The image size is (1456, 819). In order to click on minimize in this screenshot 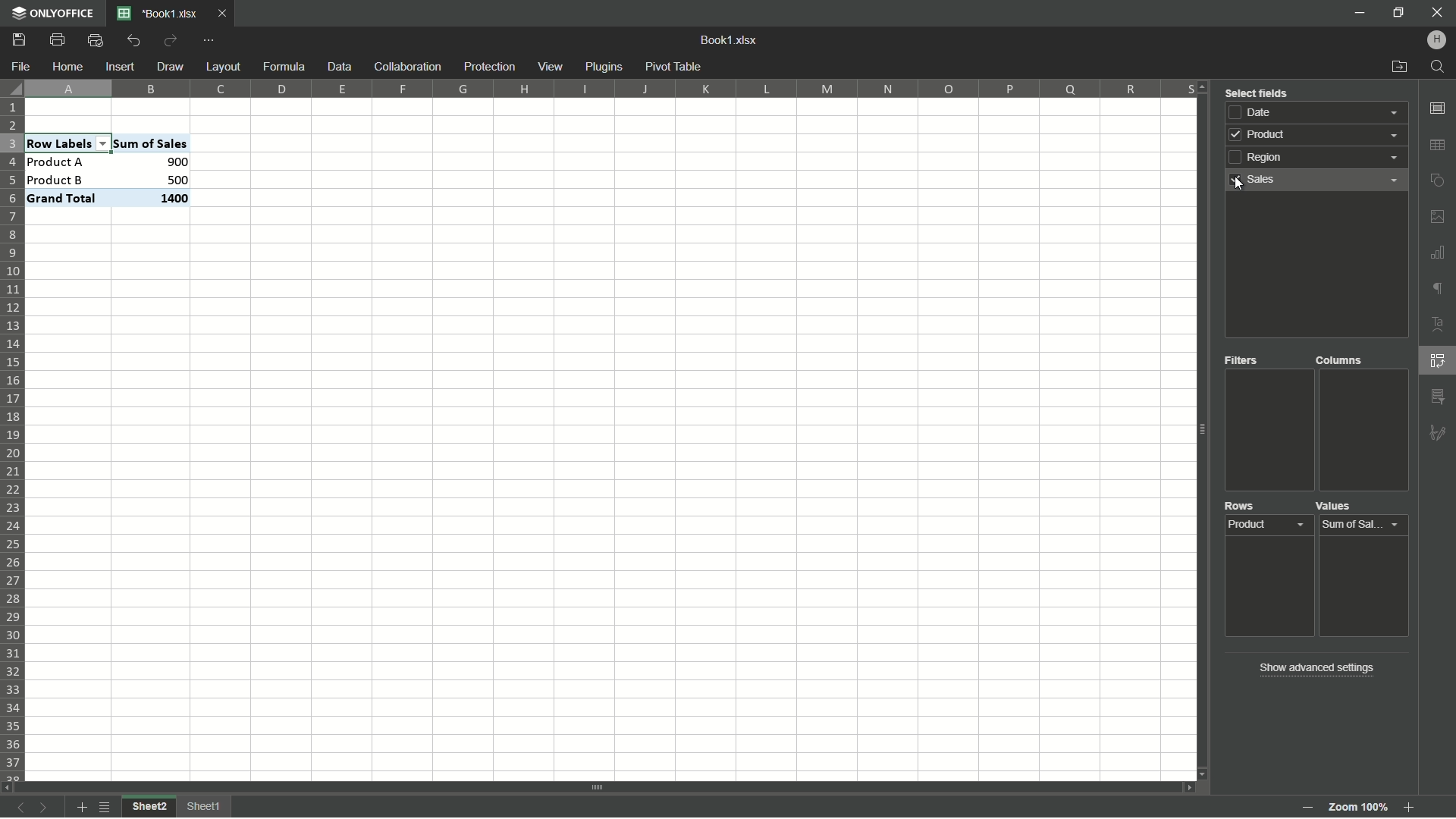, I will do `click(1359, 13)`.